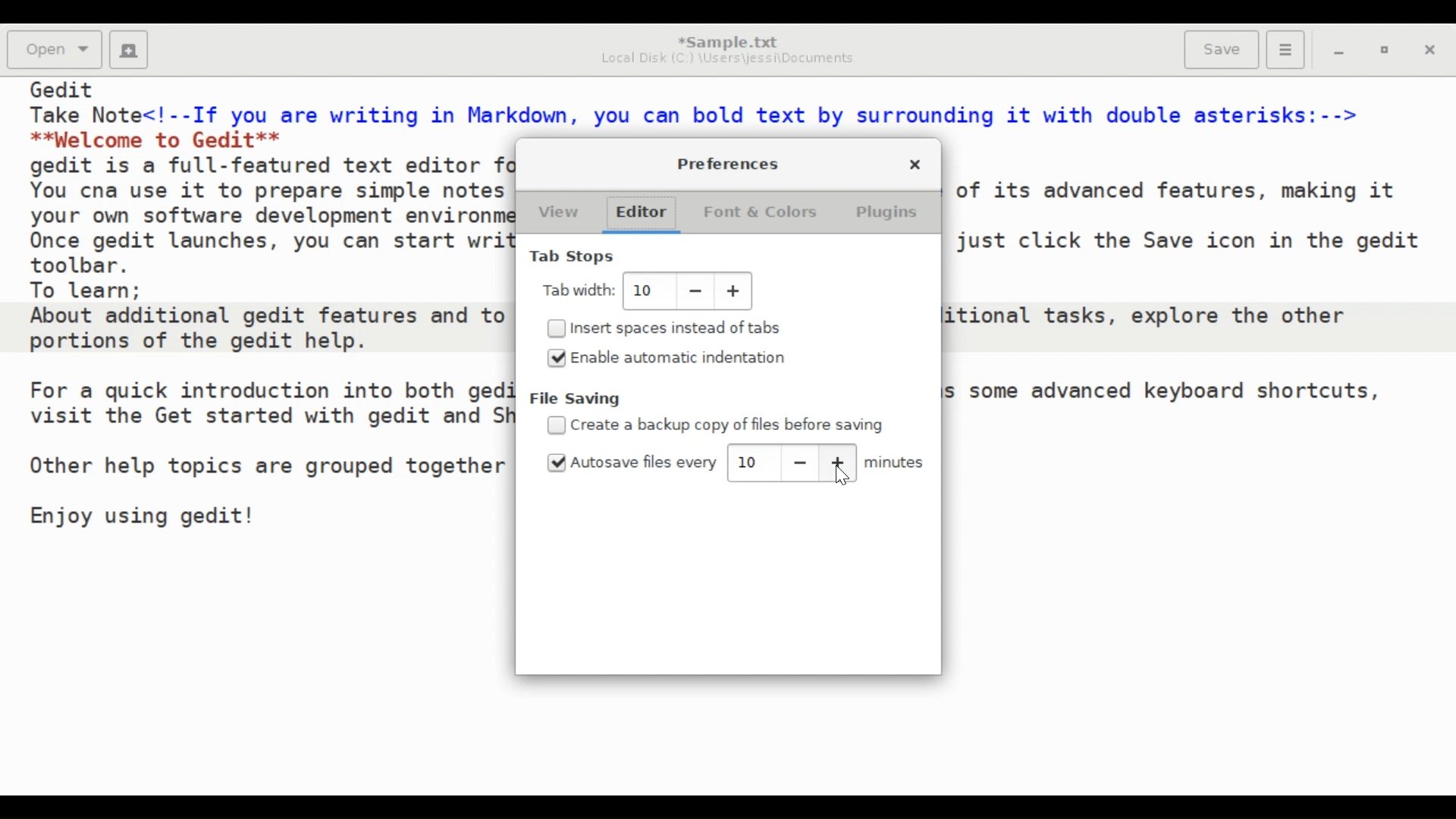 This screenshot has width=1456, height=819. Describe the element at coordinates (898, 463) in the screenshot. I see `minutes` at that location.